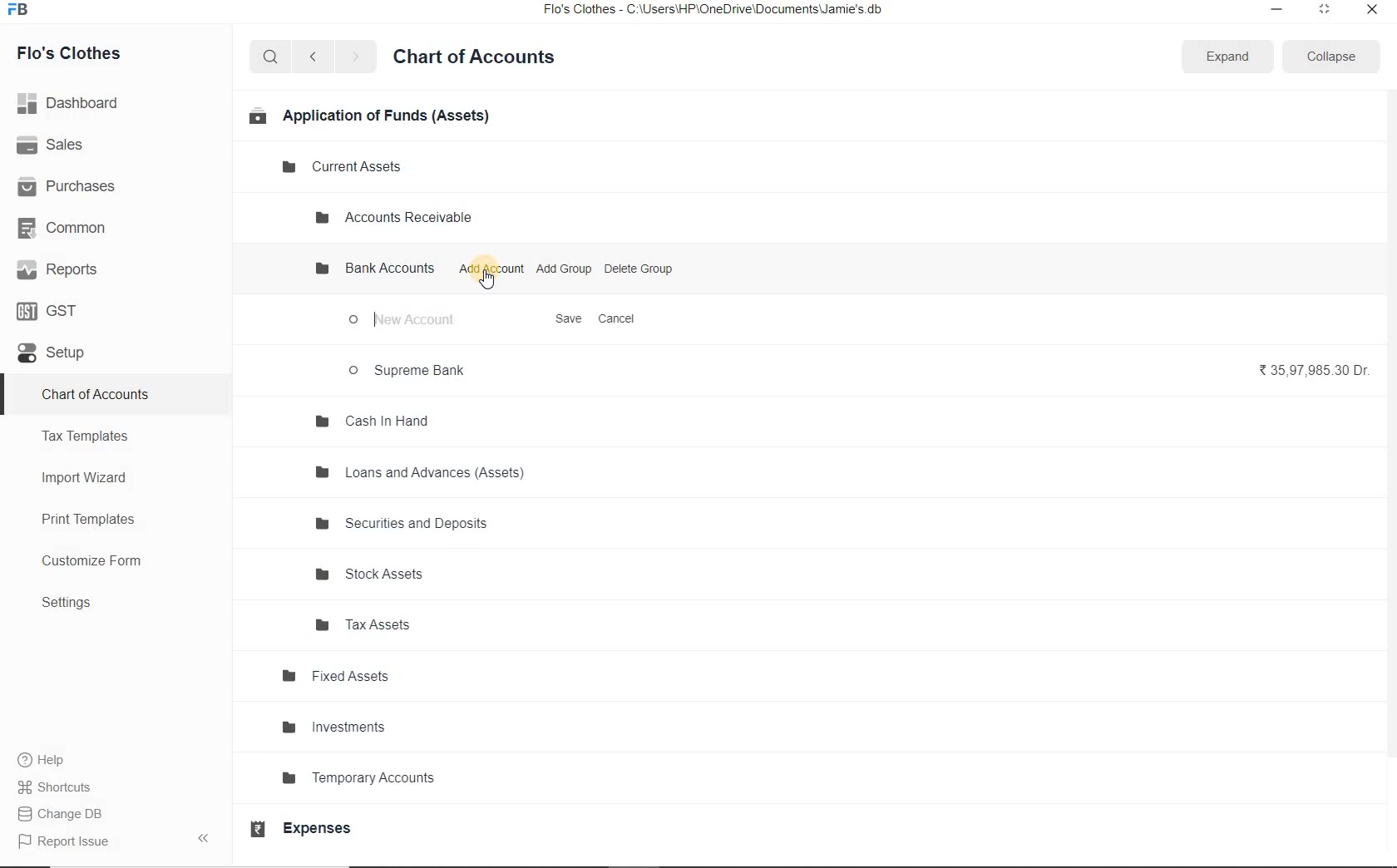  What do you see at coordinates (62, 812) in the screenshot?
I see `Change DB` at bounding box center [62, 812].